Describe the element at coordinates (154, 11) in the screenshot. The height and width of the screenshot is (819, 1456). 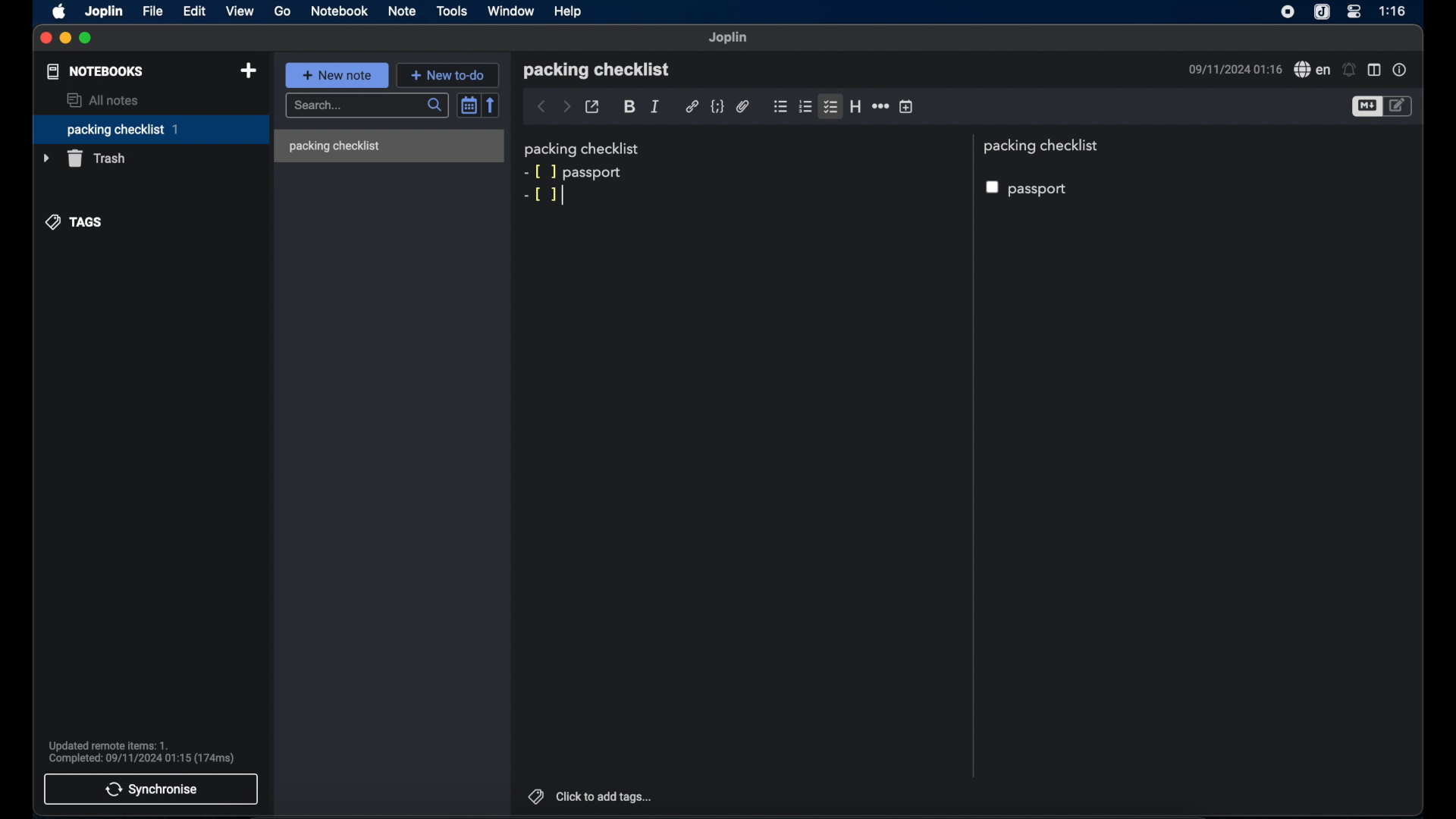
I see `file` at that location.